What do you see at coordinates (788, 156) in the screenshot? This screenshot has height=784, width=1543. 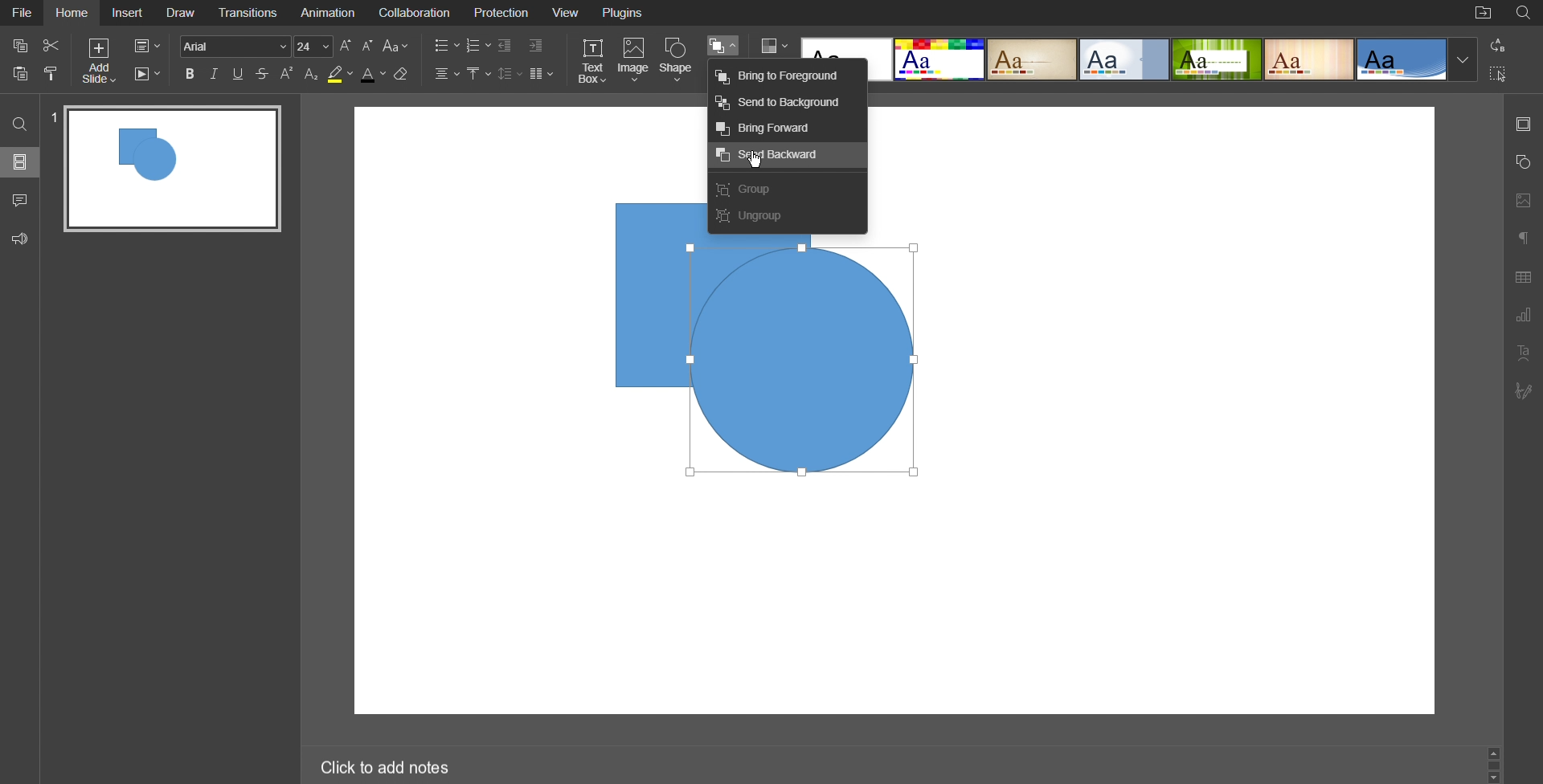 I see `Send backward` at bounding box center [788, 156].